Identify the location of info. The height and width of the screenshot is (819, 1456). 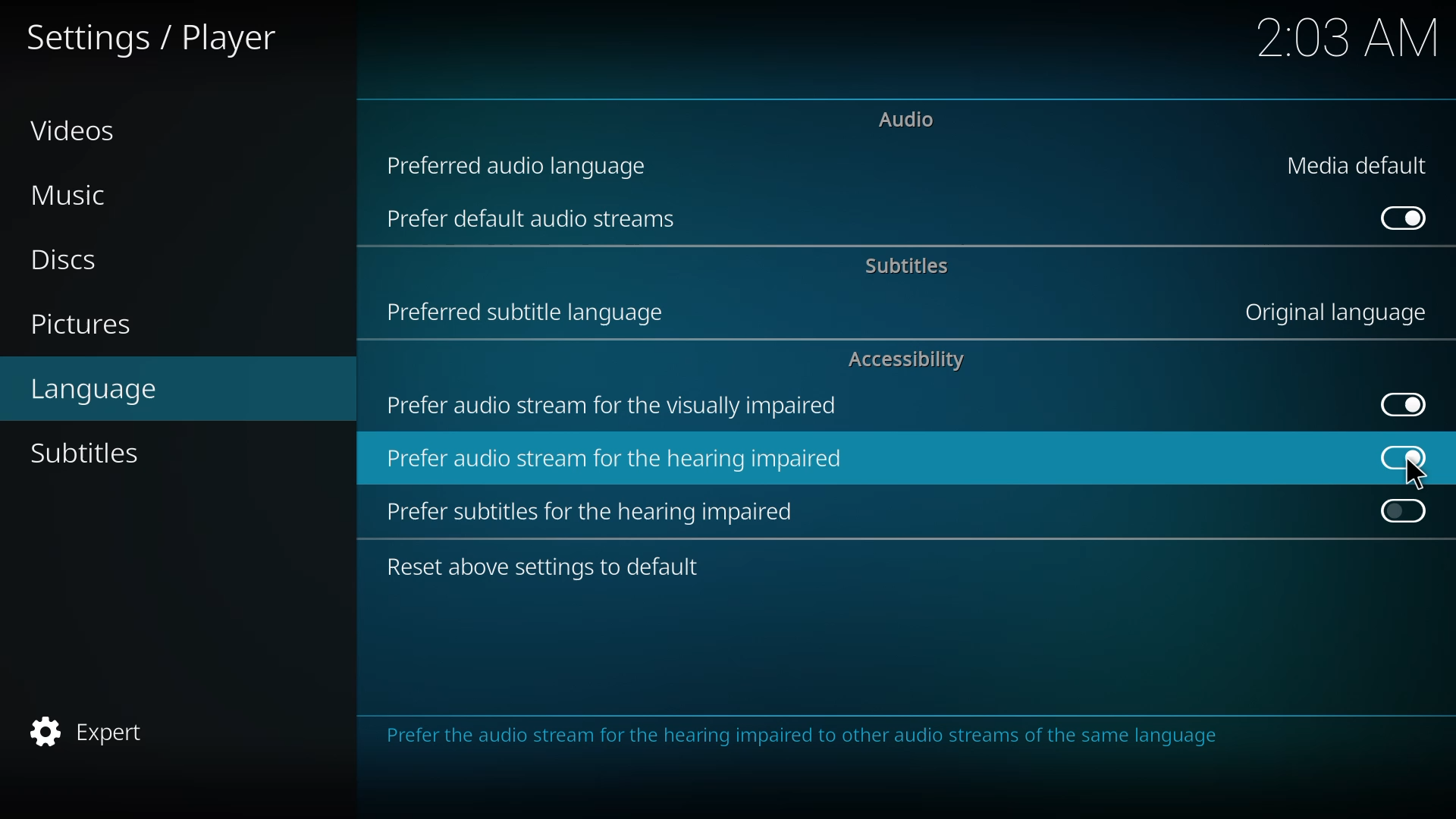
(799, 739).